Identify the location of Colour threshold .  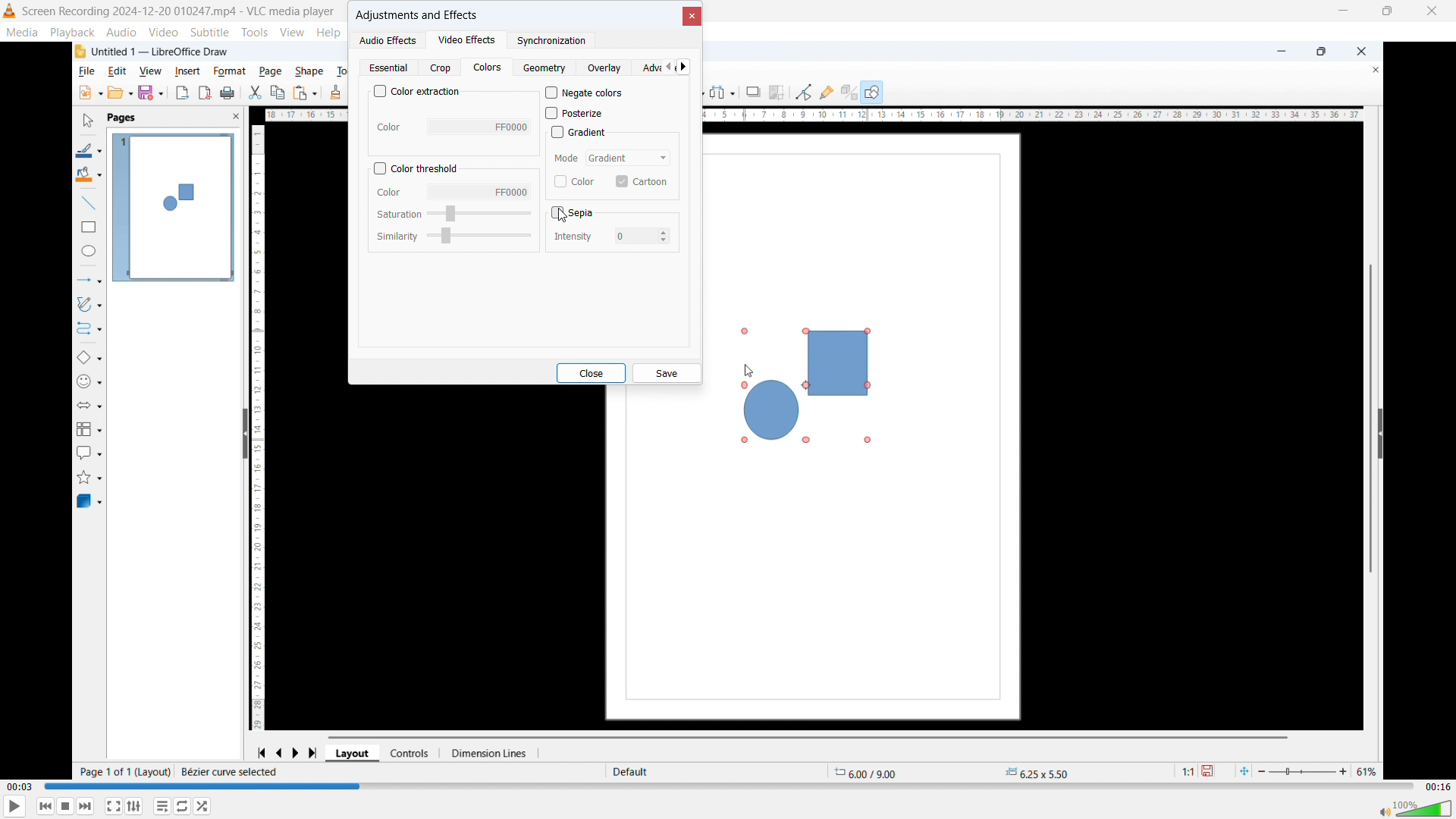
(416, 168).